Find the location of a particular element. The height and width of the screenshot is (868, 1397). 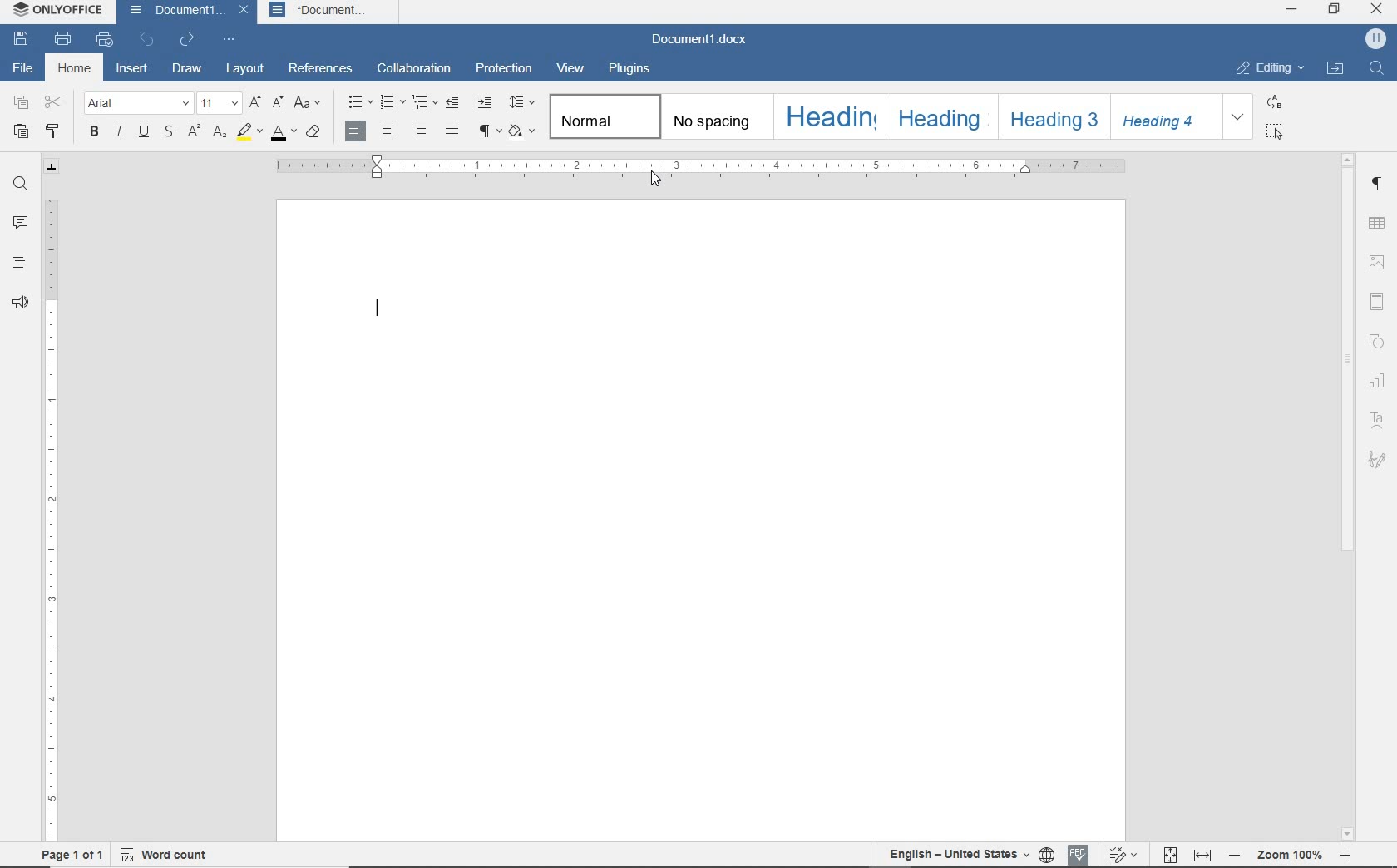

SHADING is located at coordinates (521, 131).